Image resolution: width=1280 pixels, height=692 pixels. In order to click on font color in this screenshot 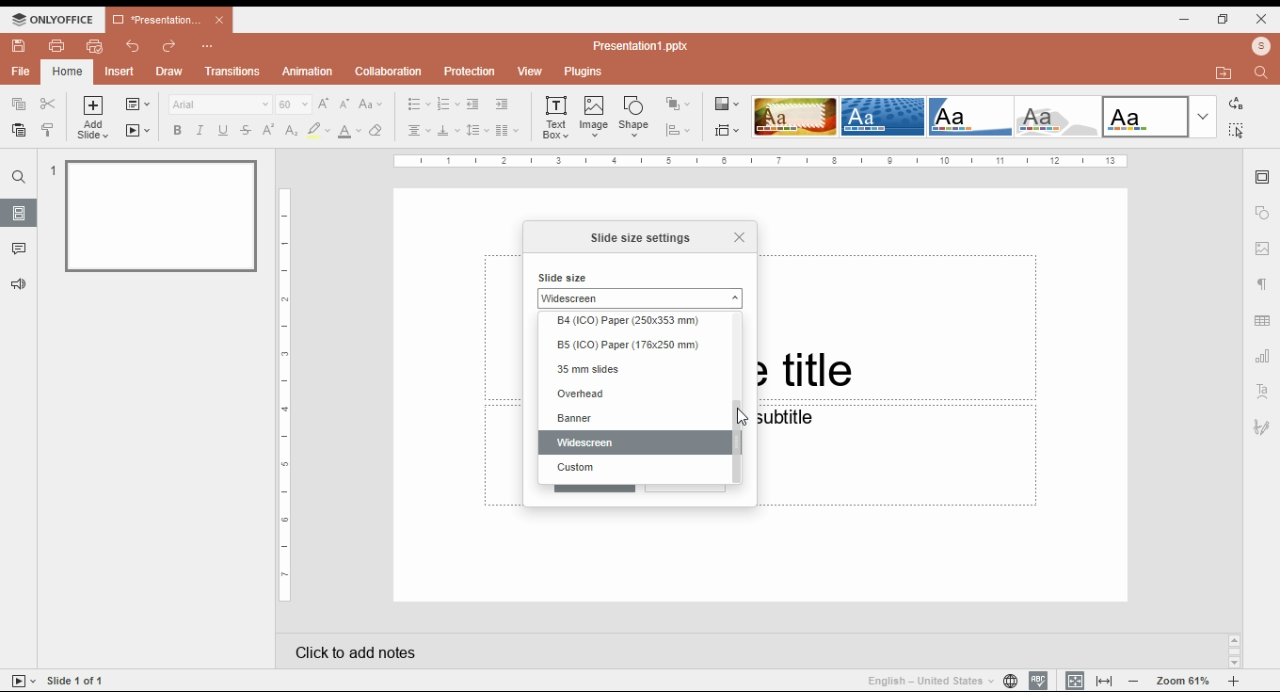, I will do `click(351, 131)`.